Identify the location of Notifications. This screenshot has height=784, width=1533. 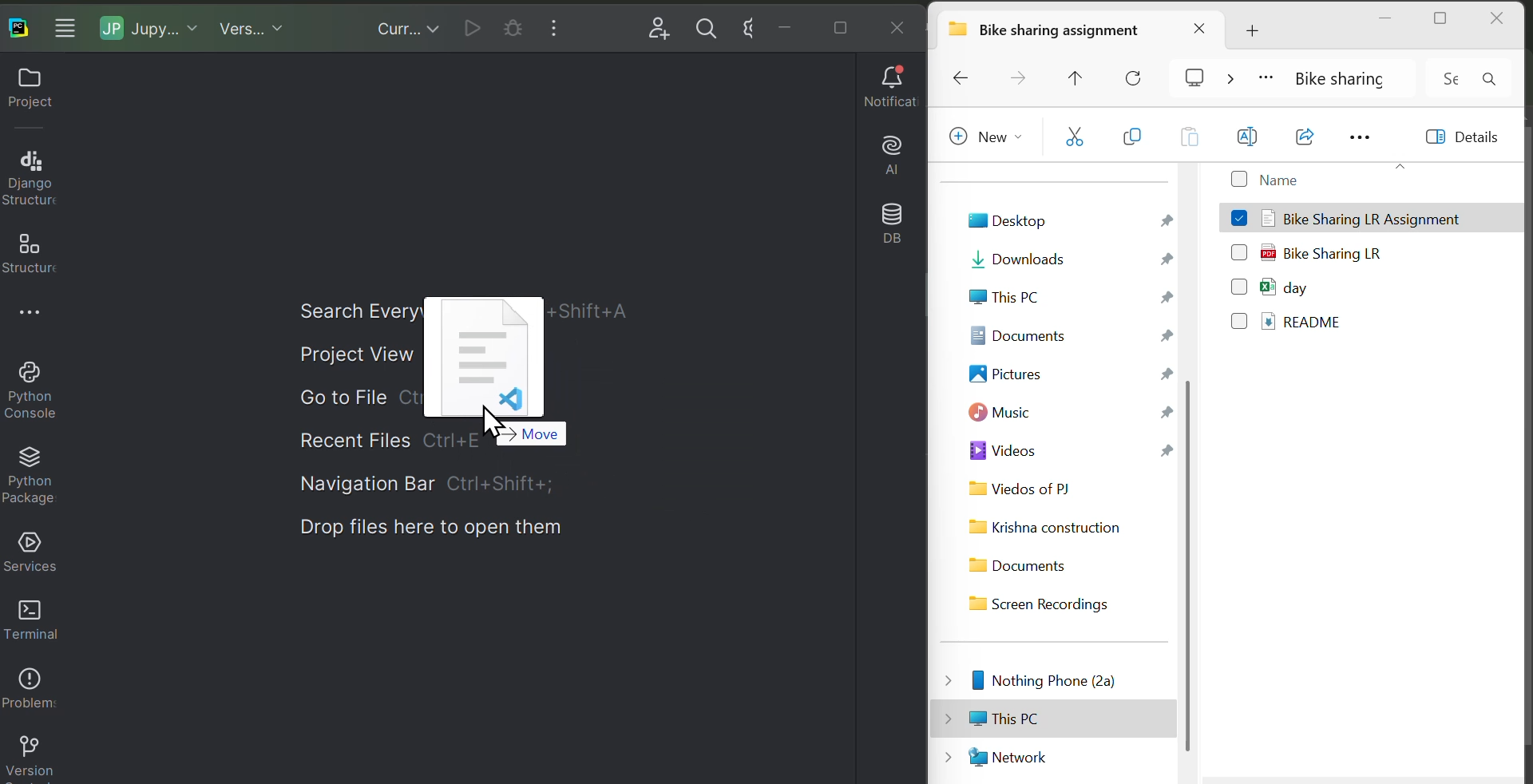
(885, 89).